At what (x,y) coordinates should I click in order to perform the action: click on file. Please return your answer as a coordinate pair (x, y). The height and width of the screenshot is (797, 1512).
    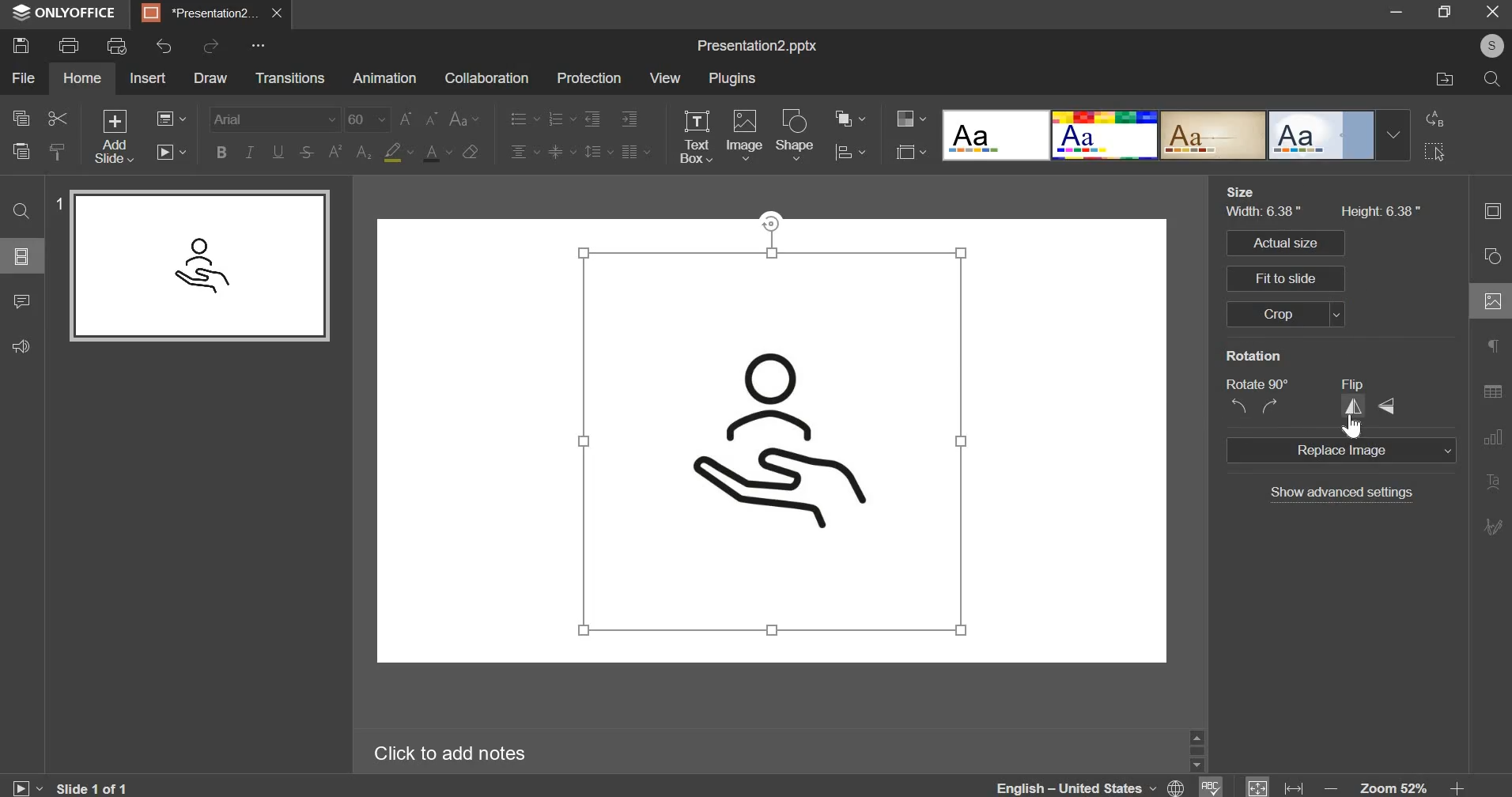
    Looking at the image, I should click on (24, 77).